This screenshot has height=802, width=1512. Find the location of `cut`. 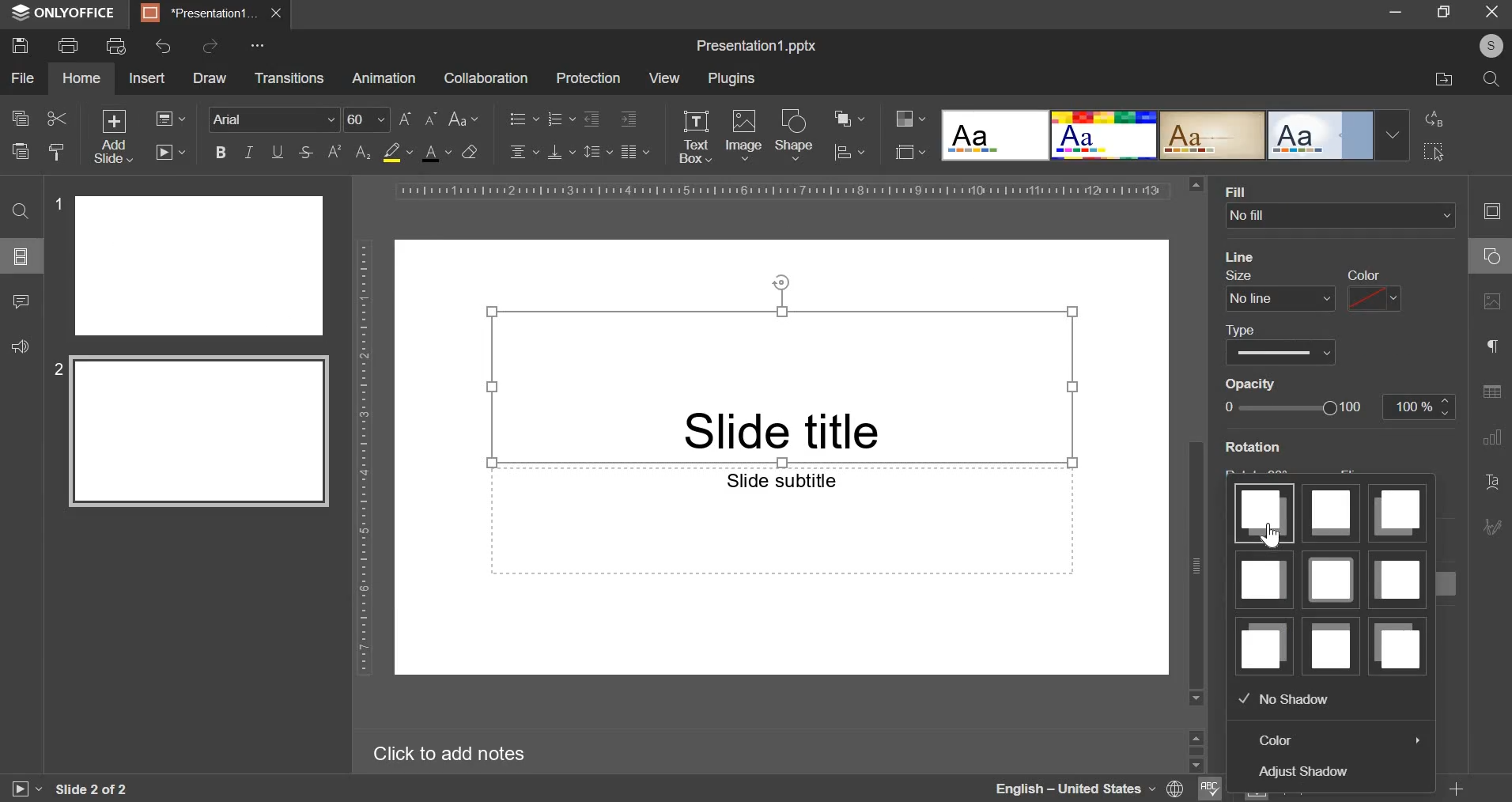

cut is located at coordinates (58, 119).